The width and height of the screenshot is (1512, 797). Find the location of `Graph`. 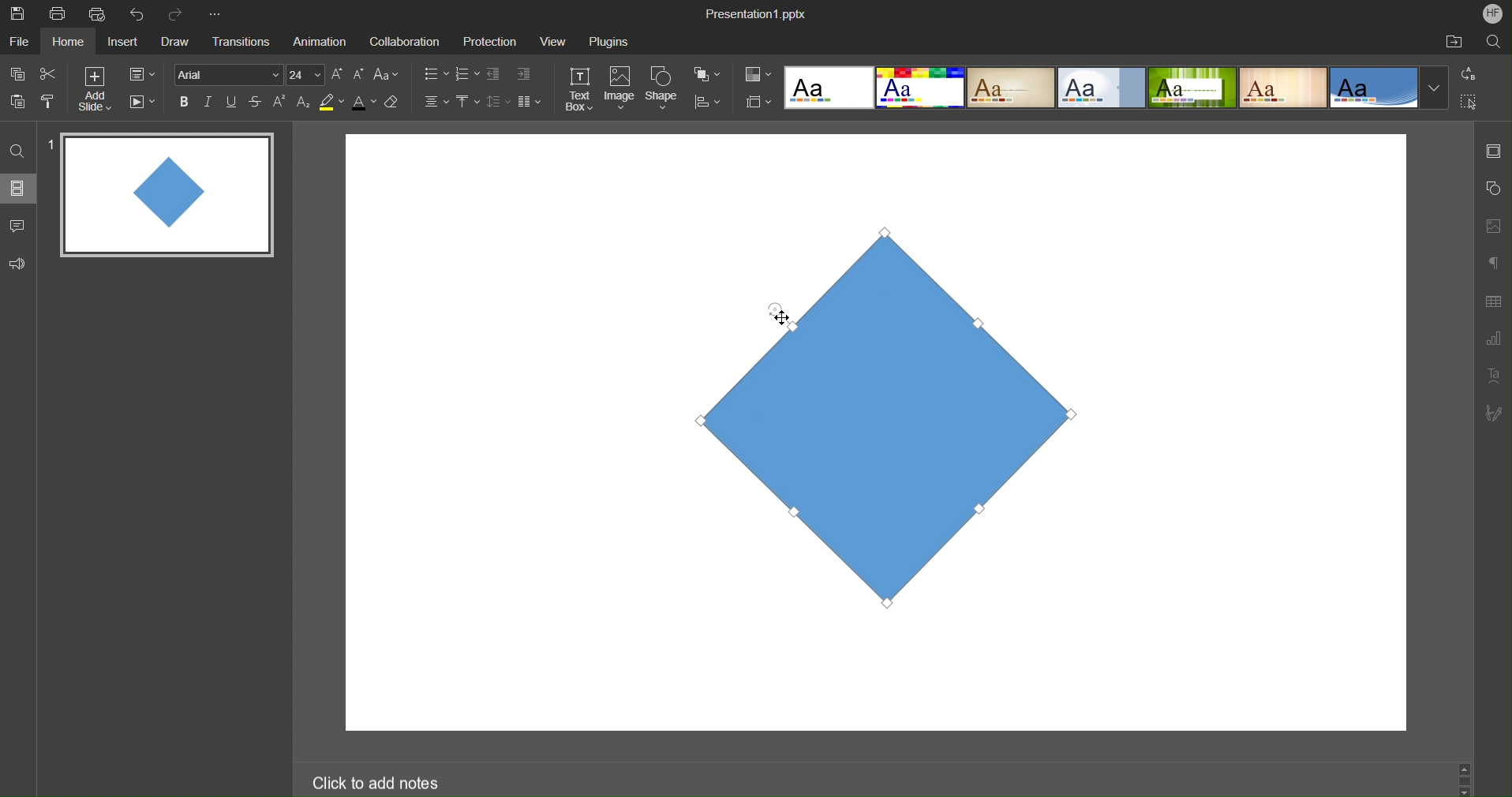

Graph is located at coordinates (1493, 341).